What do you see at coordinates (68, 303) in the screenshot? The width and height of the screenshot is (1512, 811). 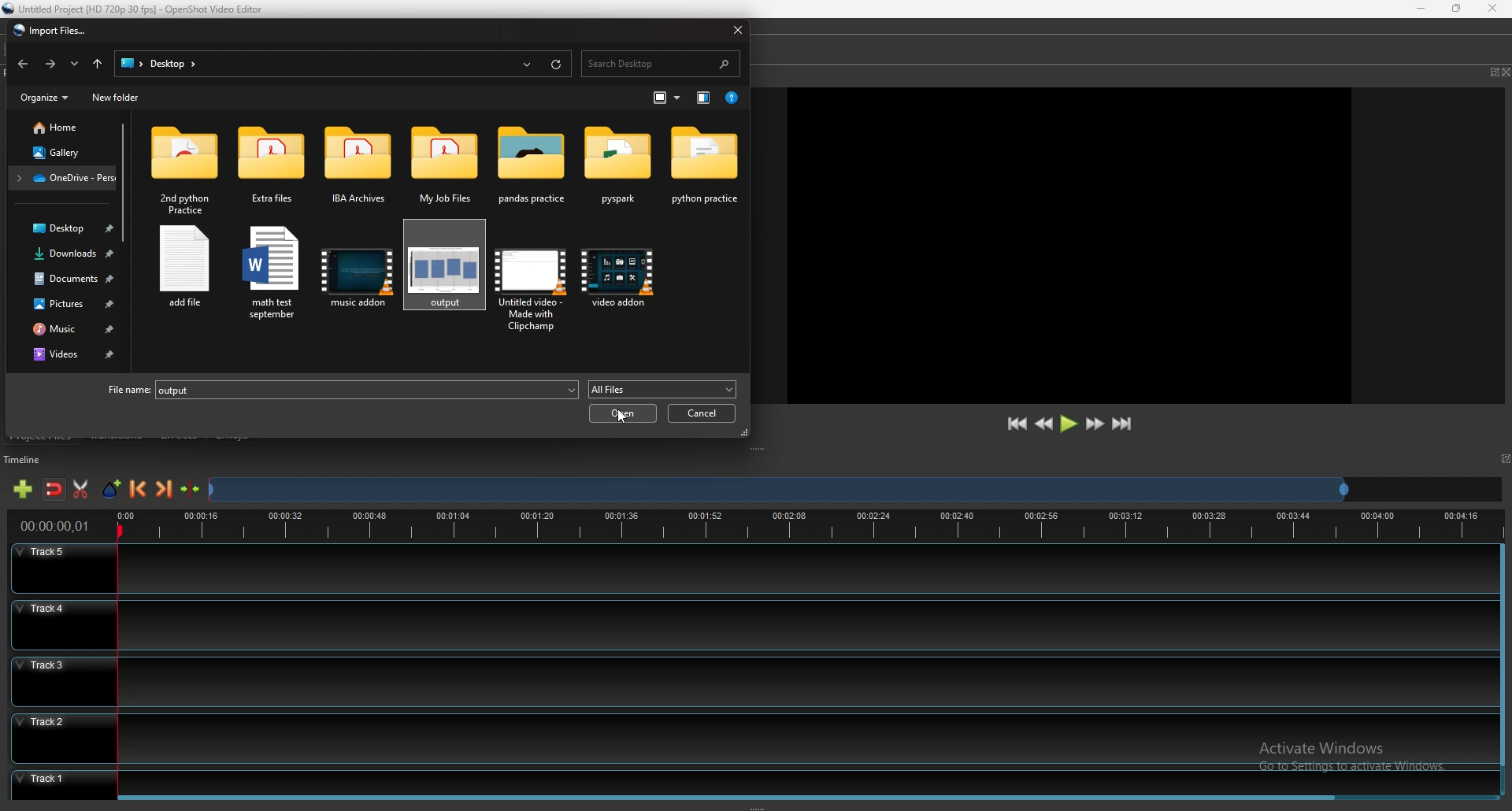 I see `pictures` at bounding box center [68, 303].